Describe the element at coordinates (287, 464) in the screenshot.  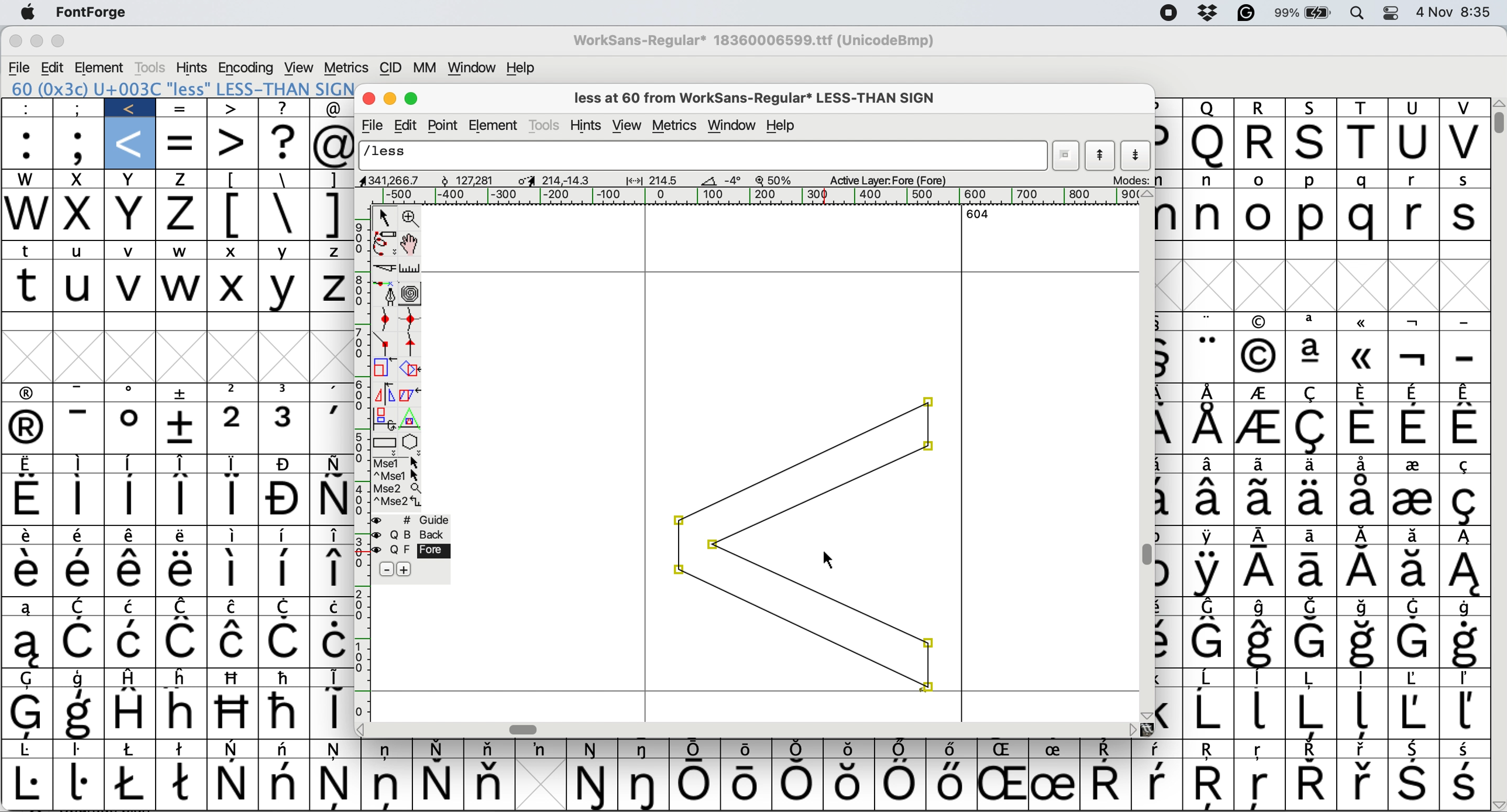
I see `Symbol` at that location.